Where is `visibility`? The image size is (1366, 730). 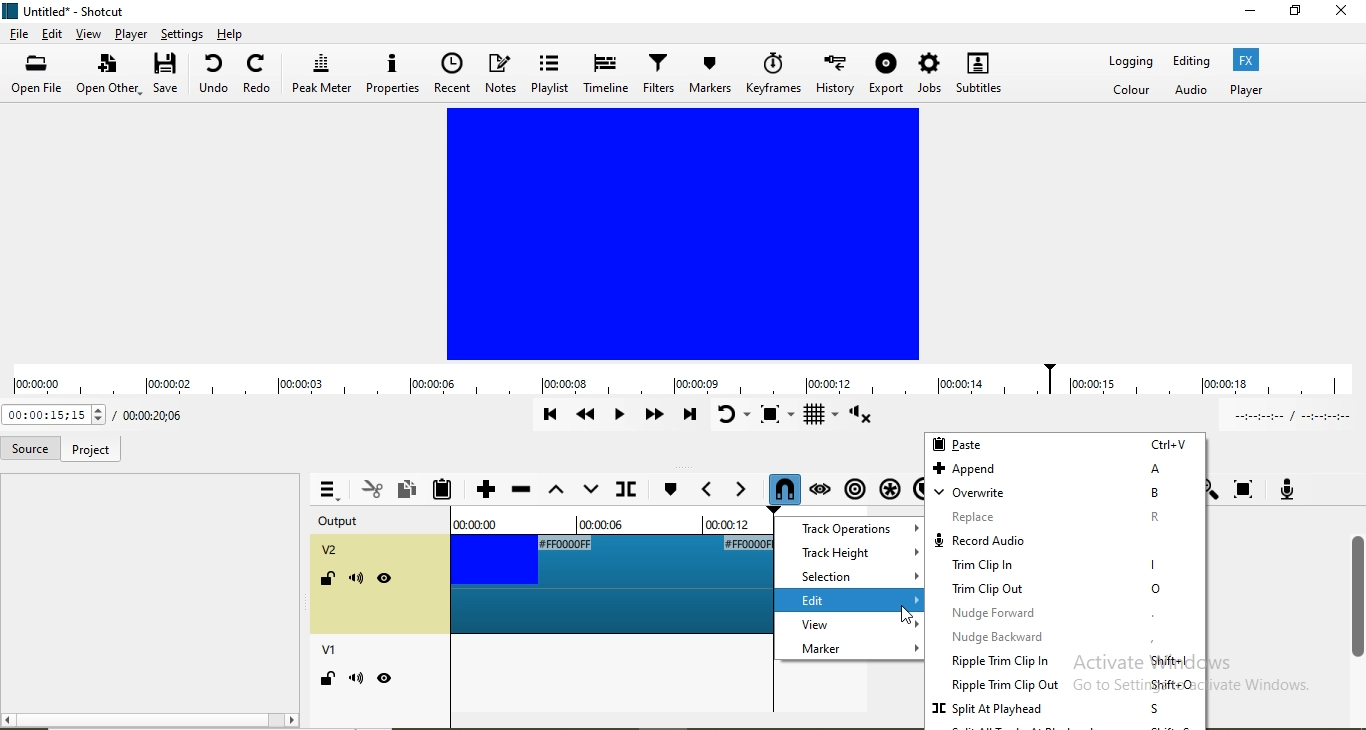 visibility is located at coordinates (385, 579).